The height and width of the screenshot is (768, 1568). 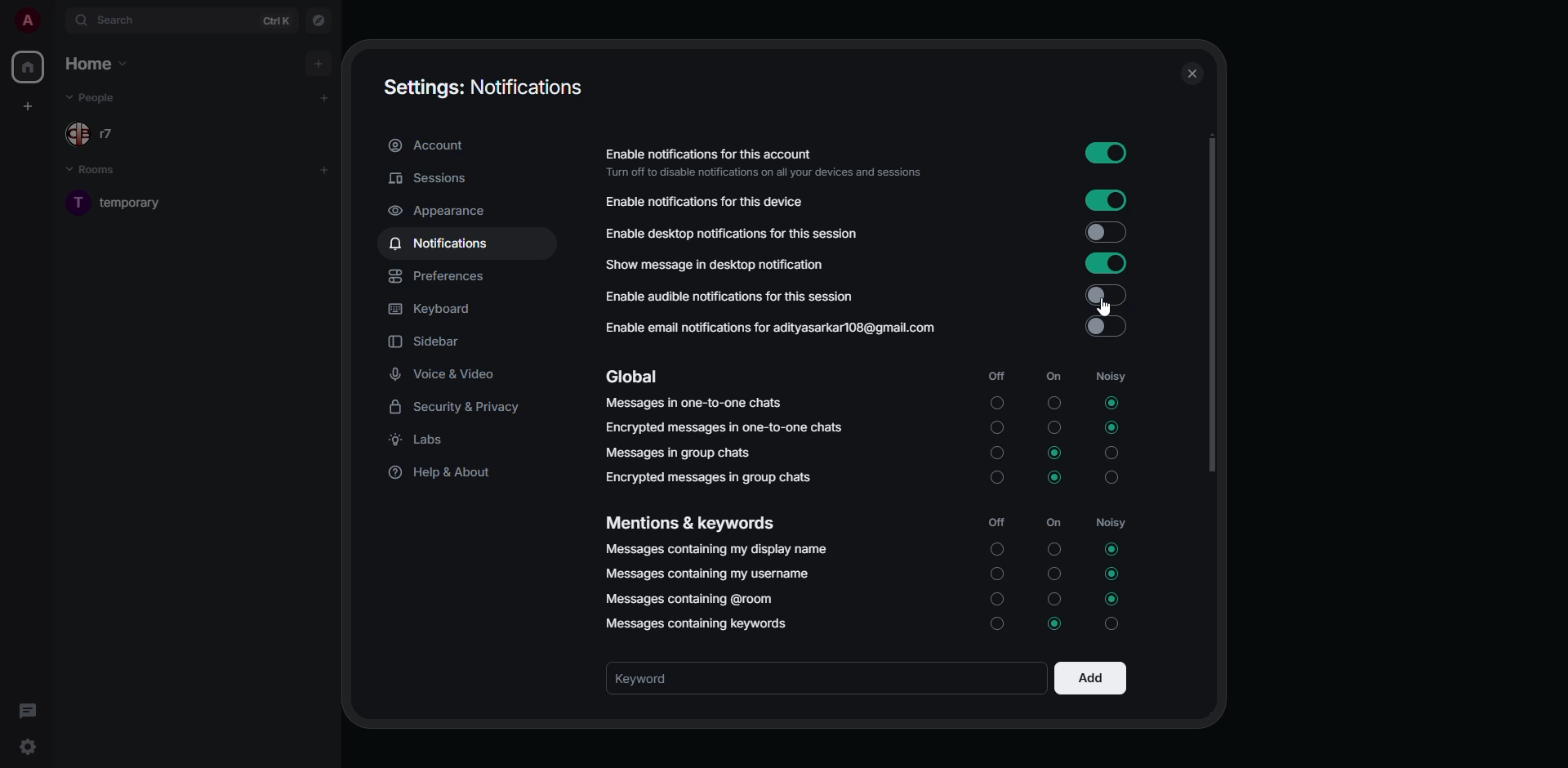 I want to click on On Unselected, so click(x=1054, y=429).